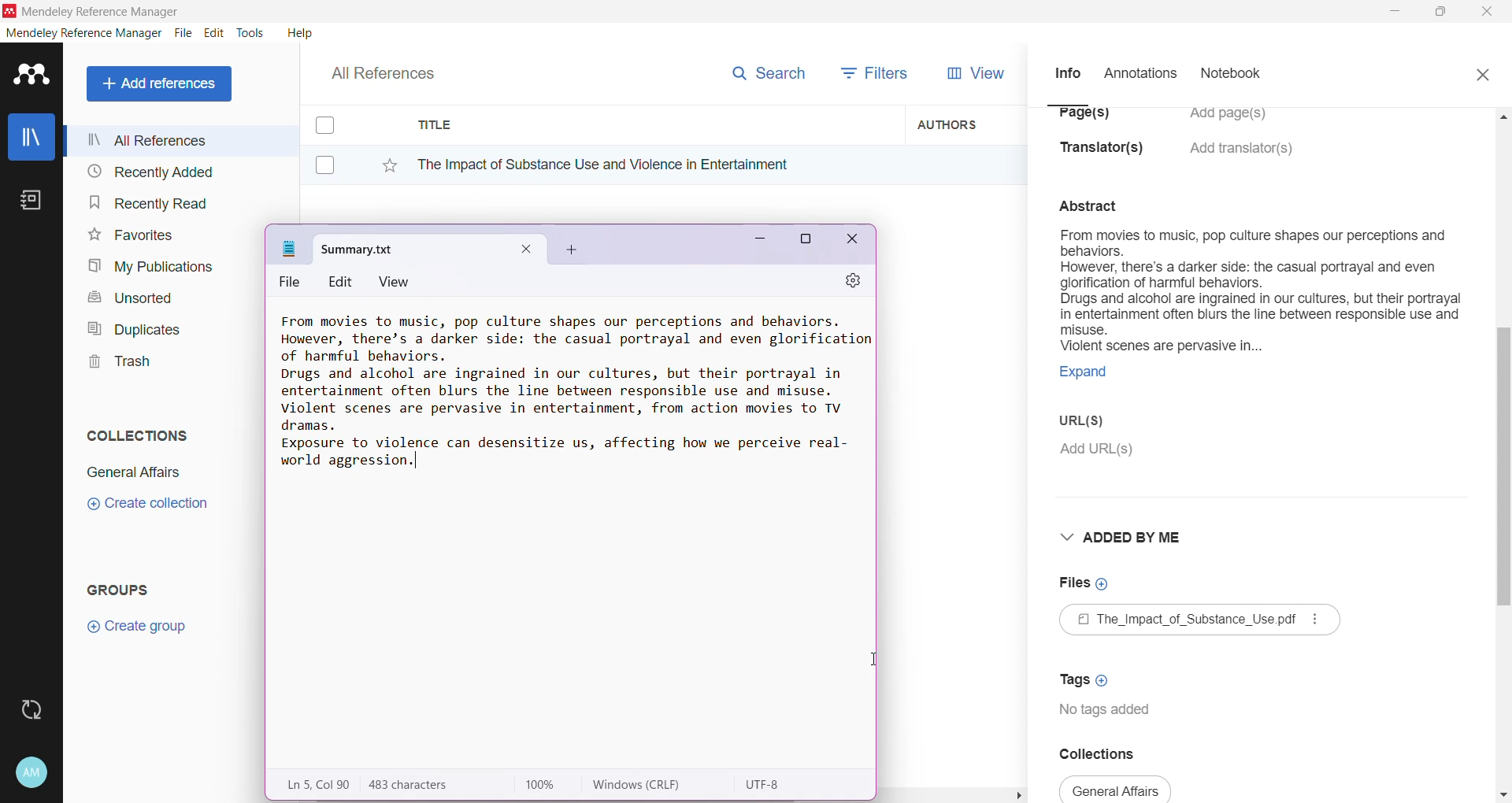  I want to click on Click to Add Files, so click(1084, 584).